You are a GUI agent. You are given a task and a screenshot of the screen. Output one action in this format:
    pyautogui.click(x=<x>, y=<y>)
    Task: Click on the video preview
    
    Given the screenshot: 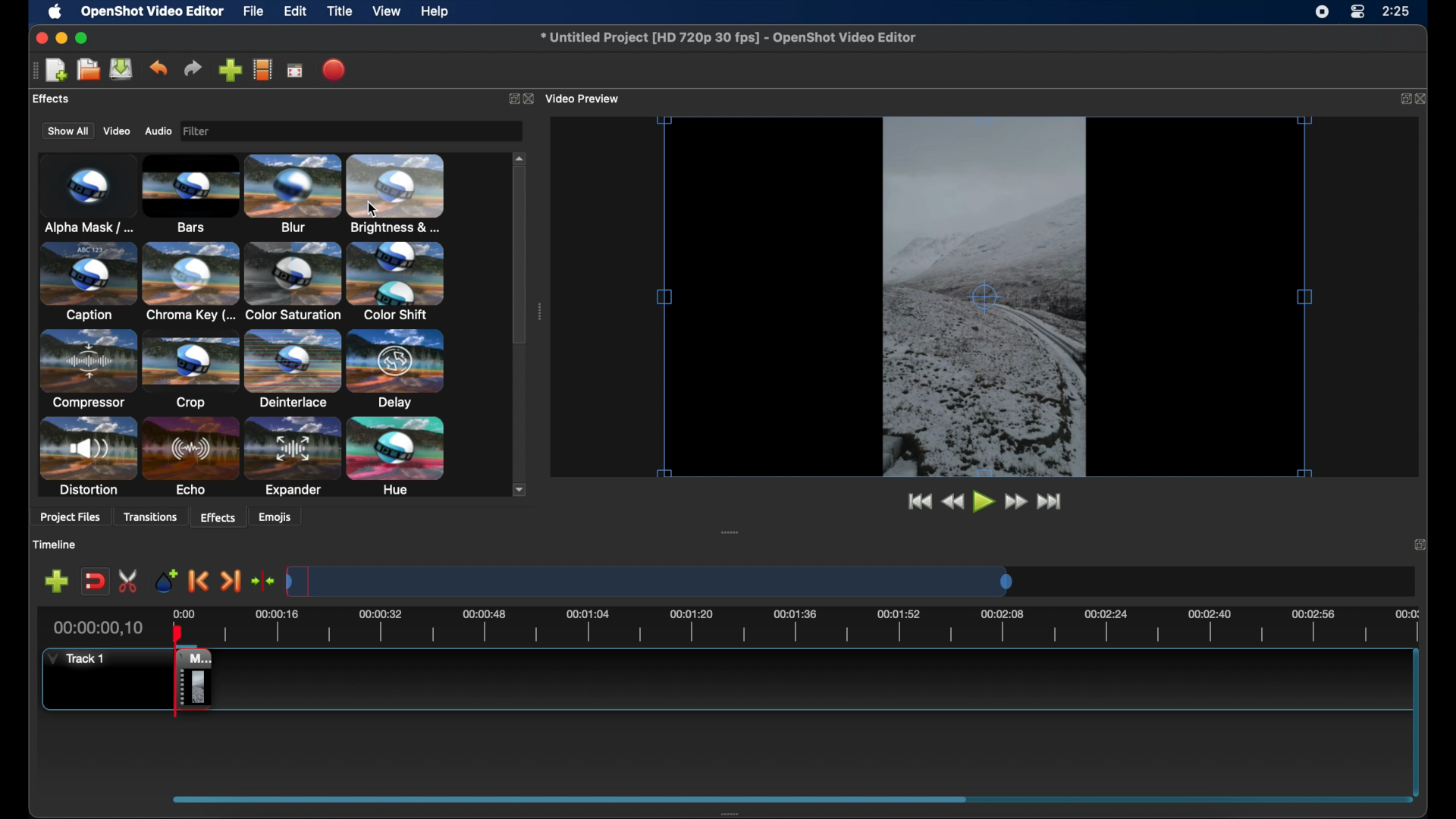 What is the action you would take?
    pyautogui.click(x=584, y=98)
    